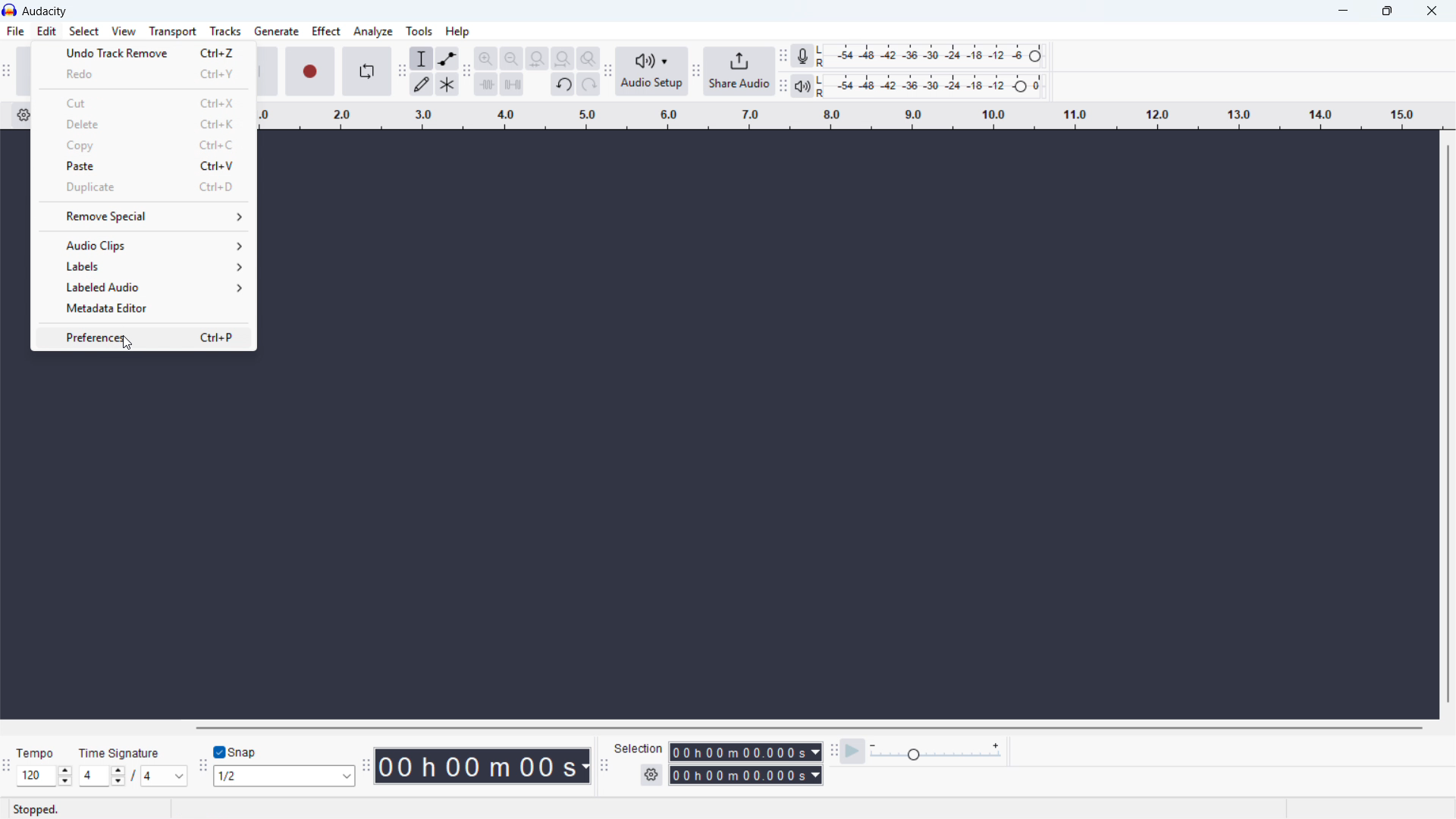 Image resolution: width=1456 pixels, height=819 pixels. What do you see at coordinates (173, 31) in the screenshot?
I see `transport` at bounding box center [173, 31].